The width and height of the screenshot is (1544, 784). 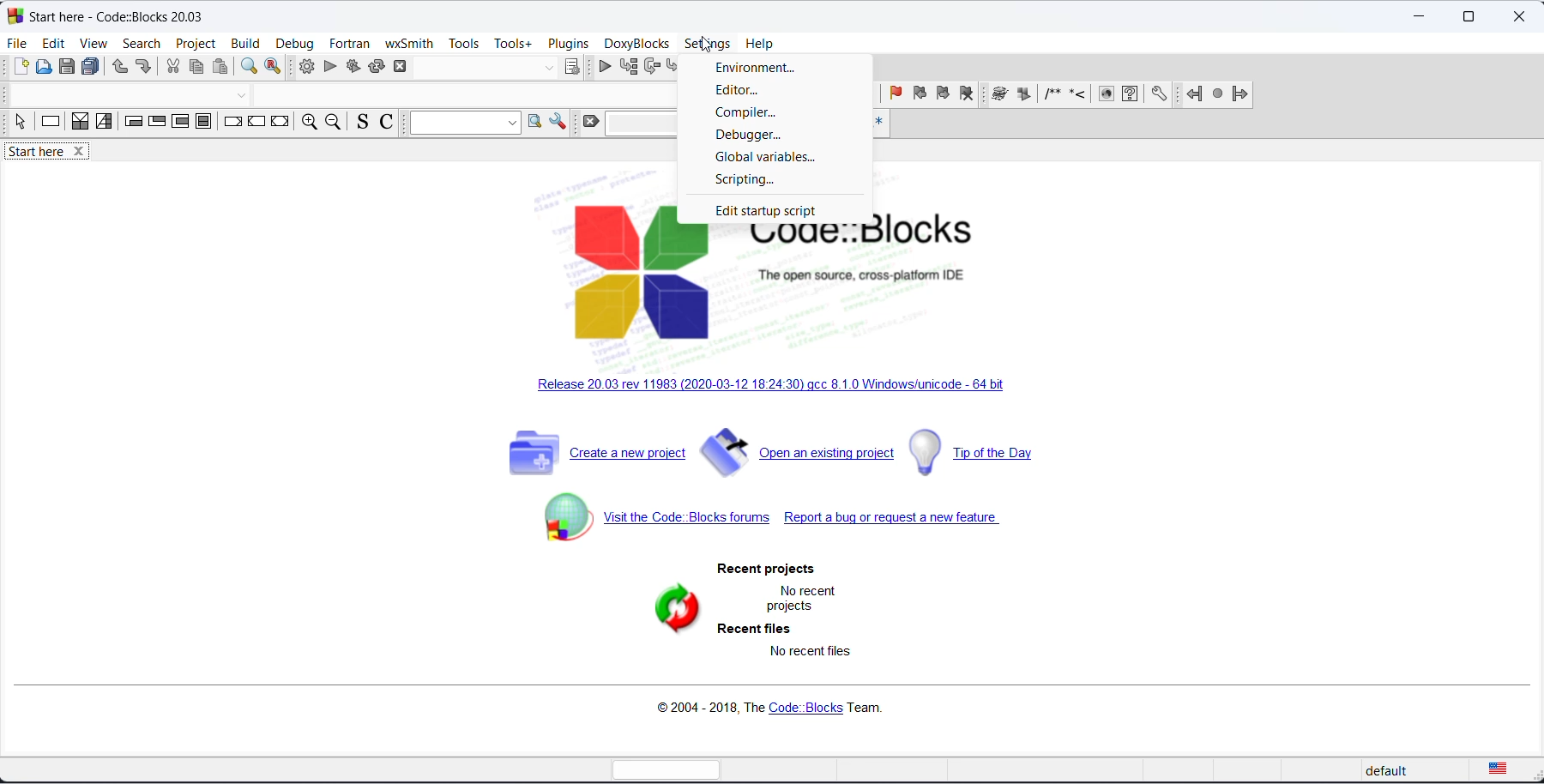 I want to click on create new project, so click(x=592, y=451).